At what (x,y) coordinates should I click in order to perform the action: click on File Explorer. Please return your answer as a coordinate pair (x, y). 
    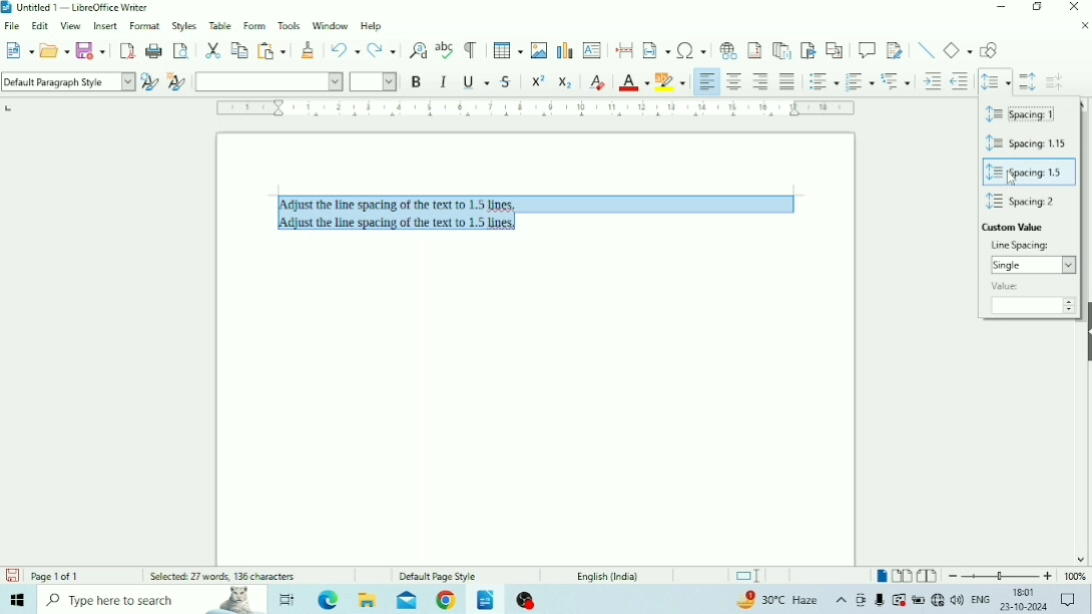
    Looking at the image, I should click on (367, 599).